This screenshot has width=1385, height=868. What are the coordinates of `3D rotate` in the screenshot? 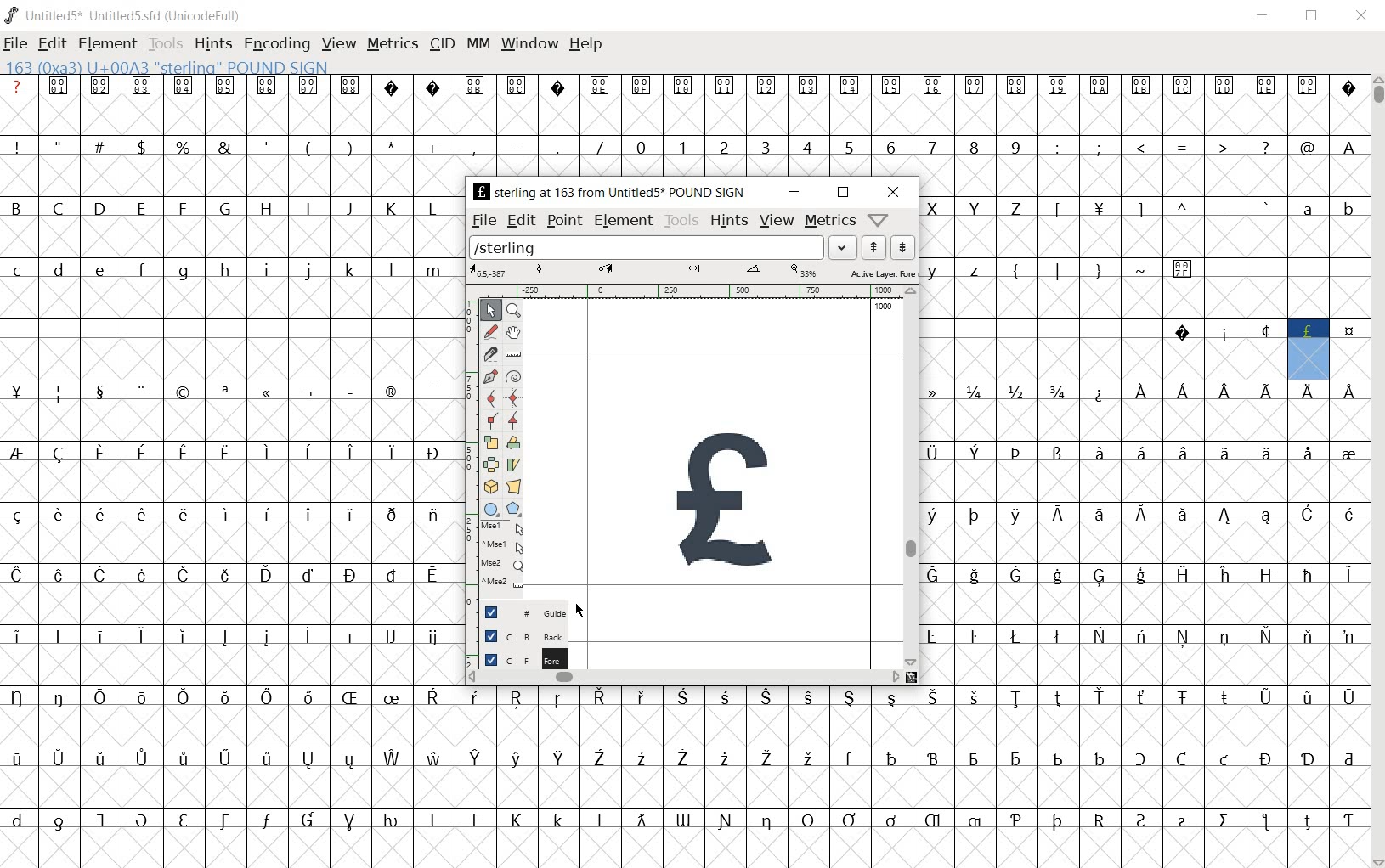 It's located at (493, 483).